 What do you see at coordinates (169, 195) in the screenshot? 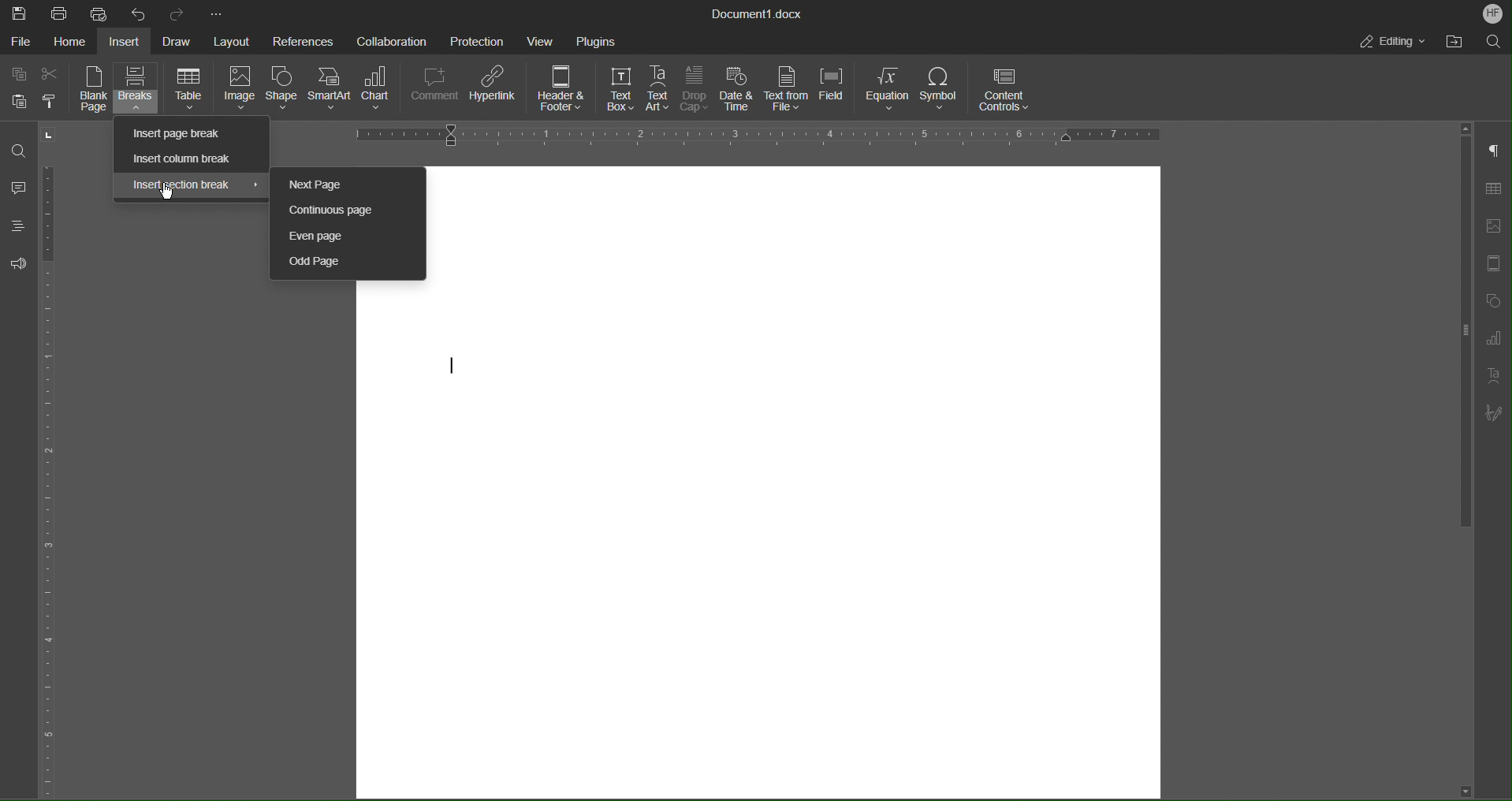
I see `cursor` at bounding box center [169, 195].